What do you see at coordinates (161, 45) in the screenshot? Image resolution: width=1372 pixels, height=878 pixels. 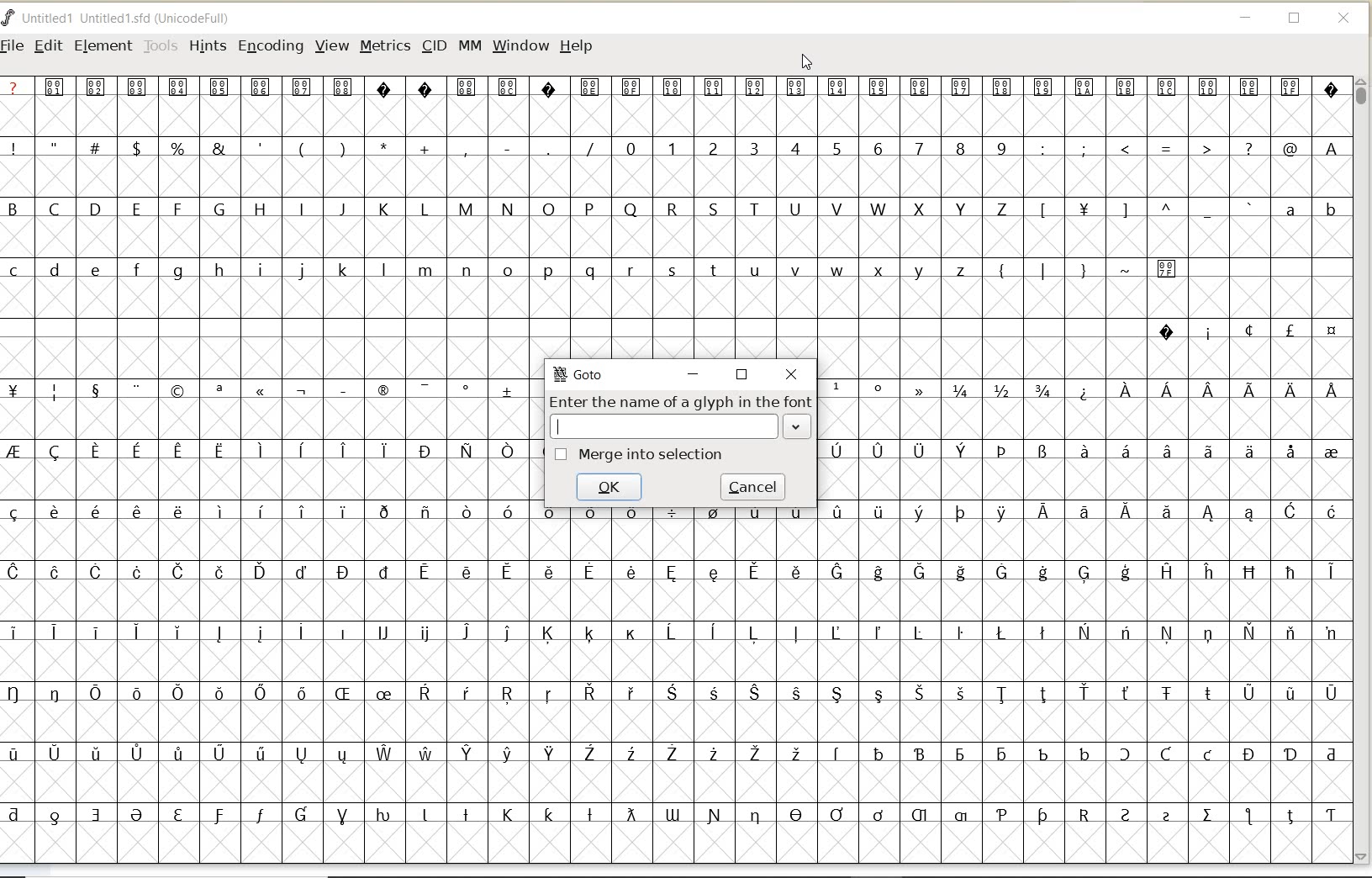 I see `TOOLS` at bounding box center [161, 45].